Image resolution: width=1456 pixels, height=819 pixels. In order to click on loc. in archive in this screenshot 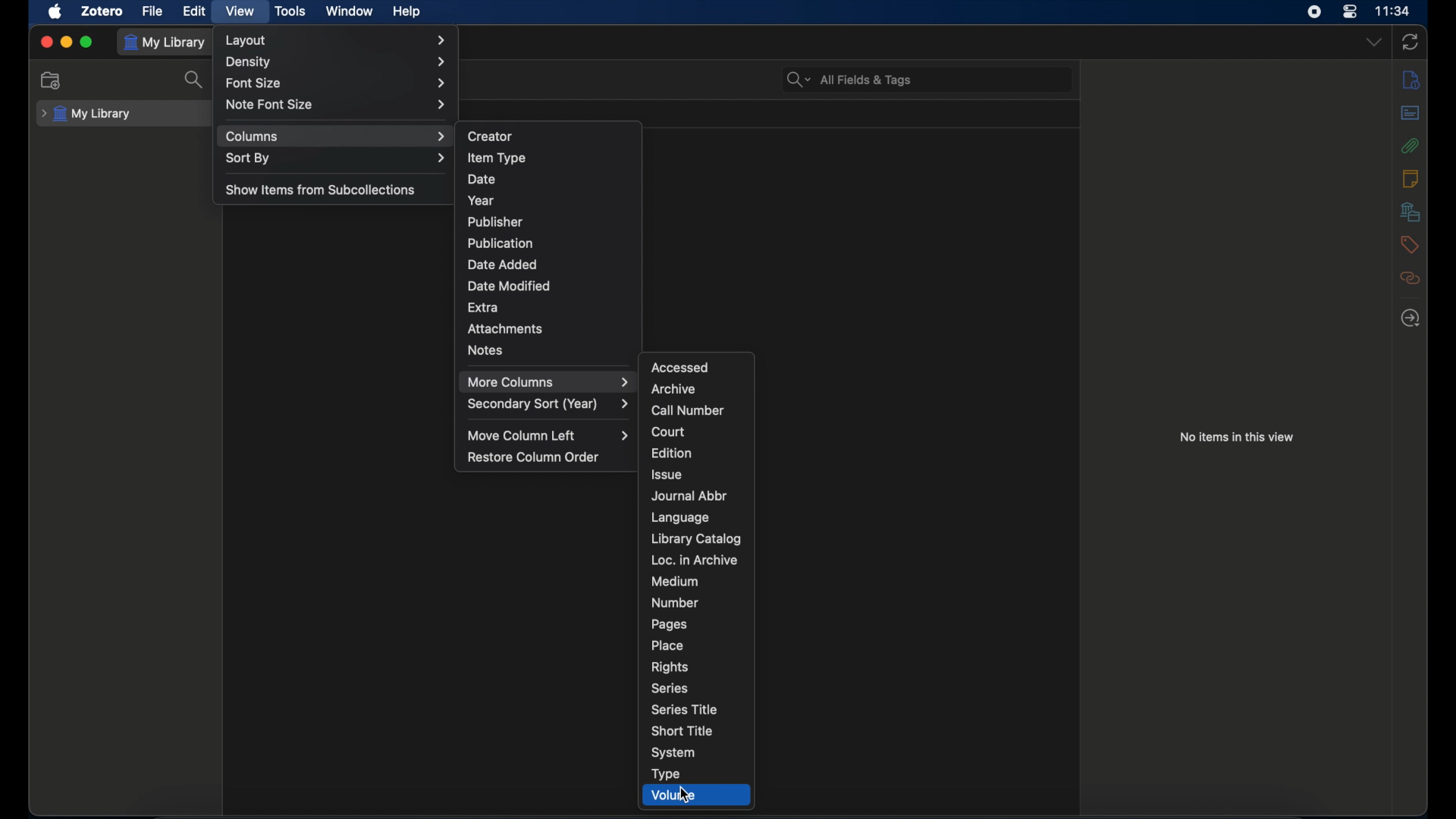, I will do `click(693, 560)`.